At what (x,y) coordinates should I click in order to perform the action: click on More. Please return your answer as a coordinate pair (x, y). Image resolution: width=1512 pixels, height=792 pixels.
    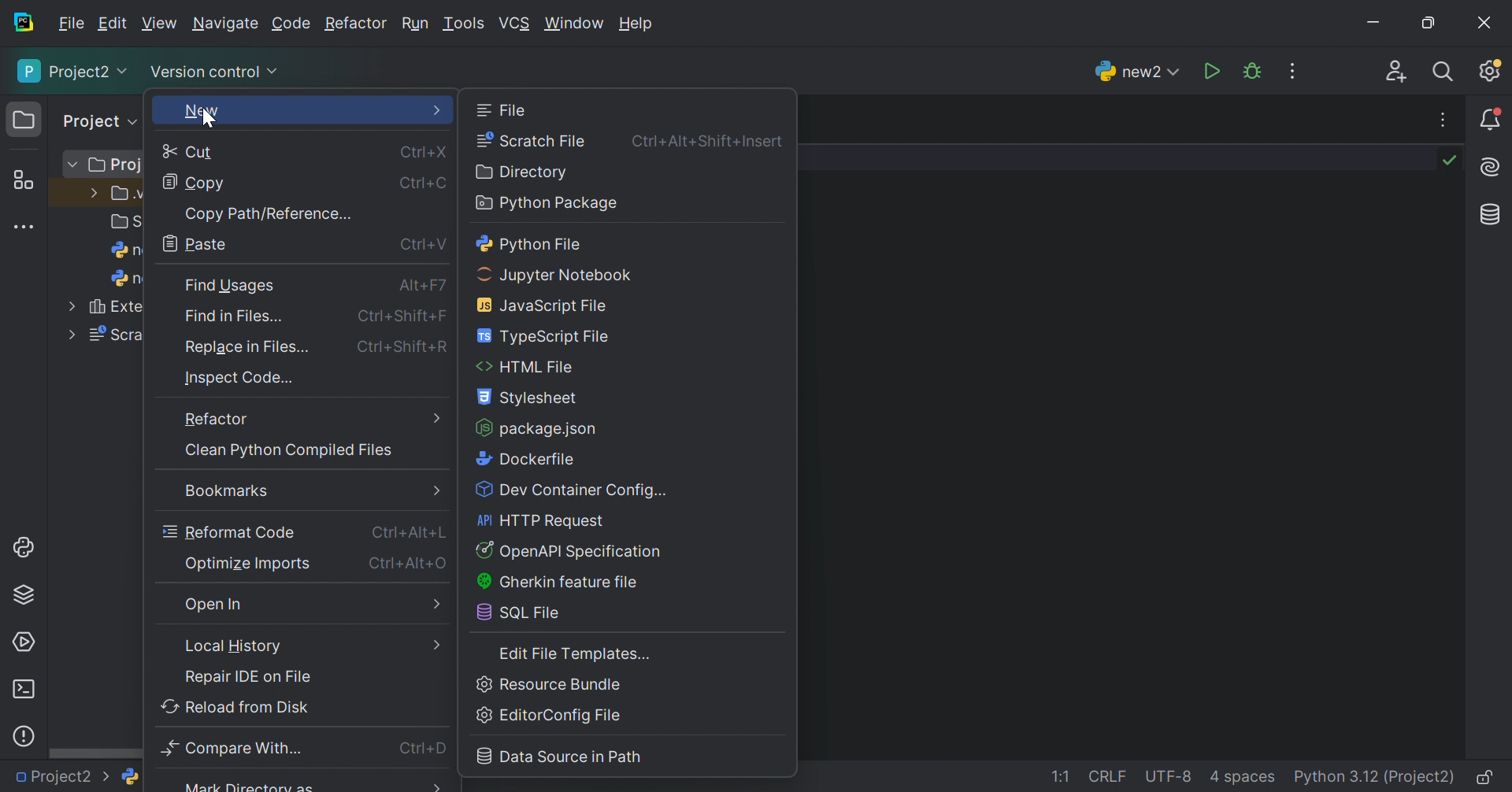
    Looking at the image, I should click on (90, 193).